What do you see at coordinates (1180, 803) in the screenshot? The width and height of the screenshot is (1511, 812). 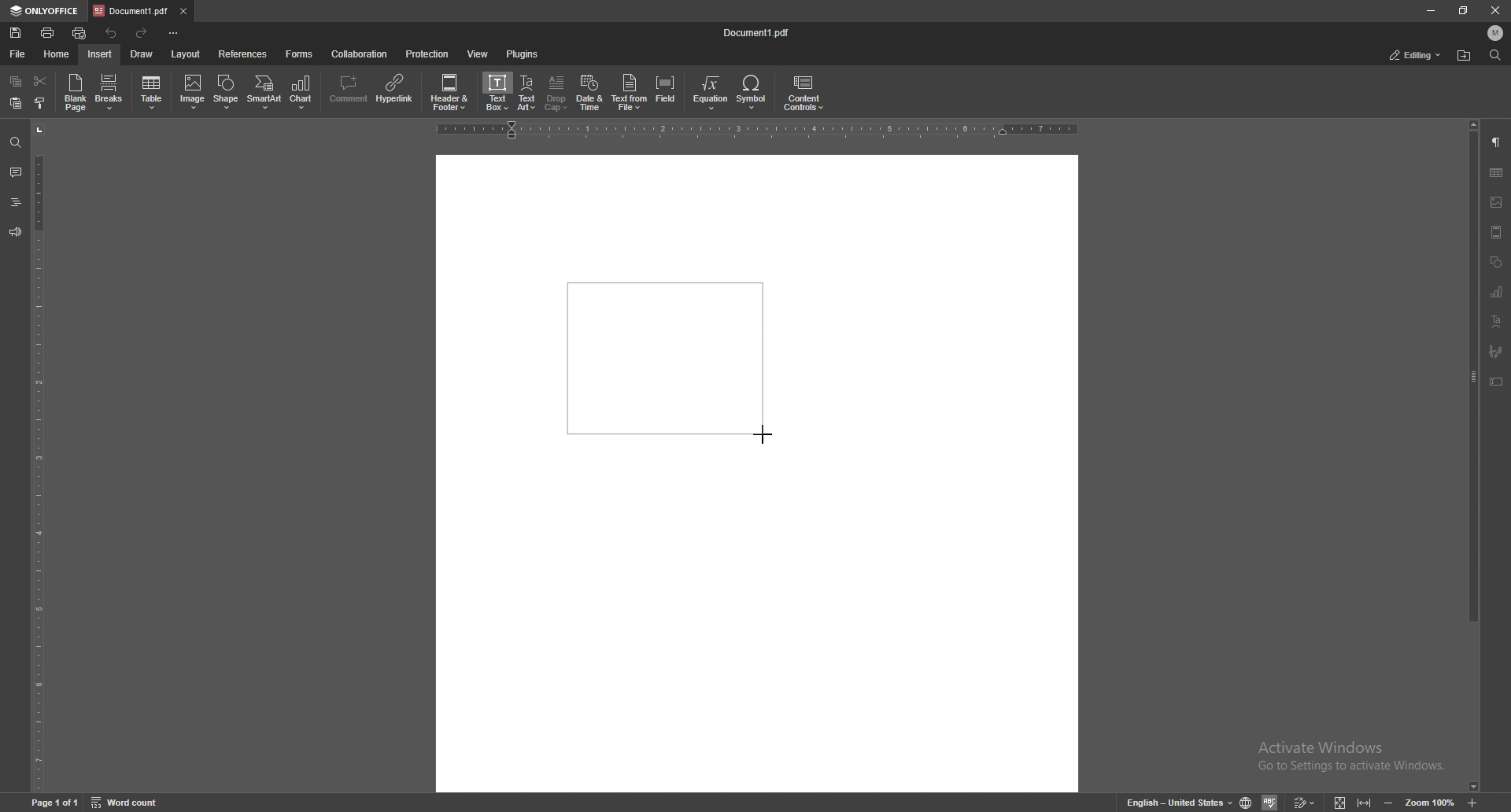 I see `english united states` at bounding box center [1180, 803].